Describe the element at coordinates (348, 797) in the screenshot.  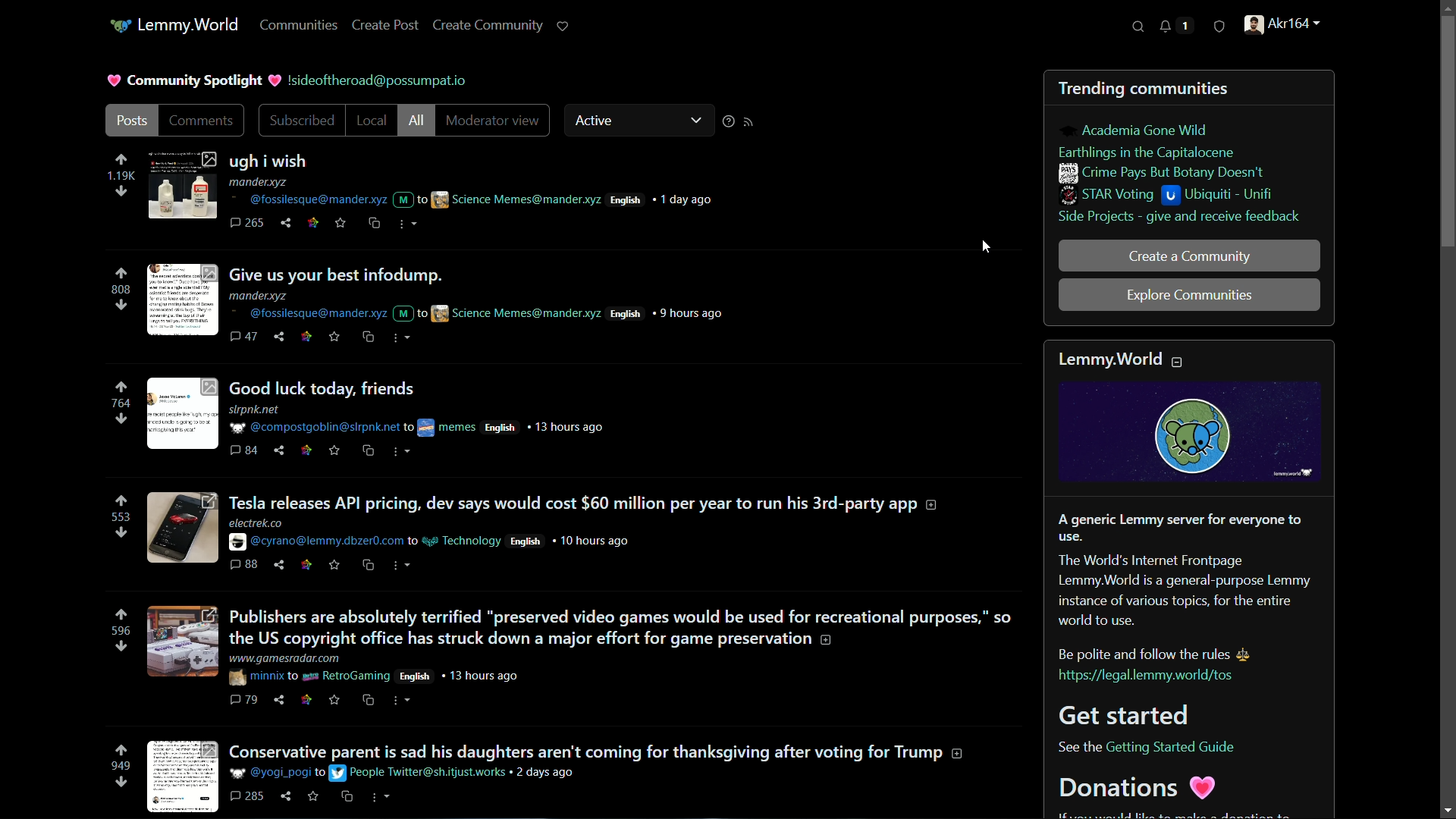
I see `cross psot` at that location.